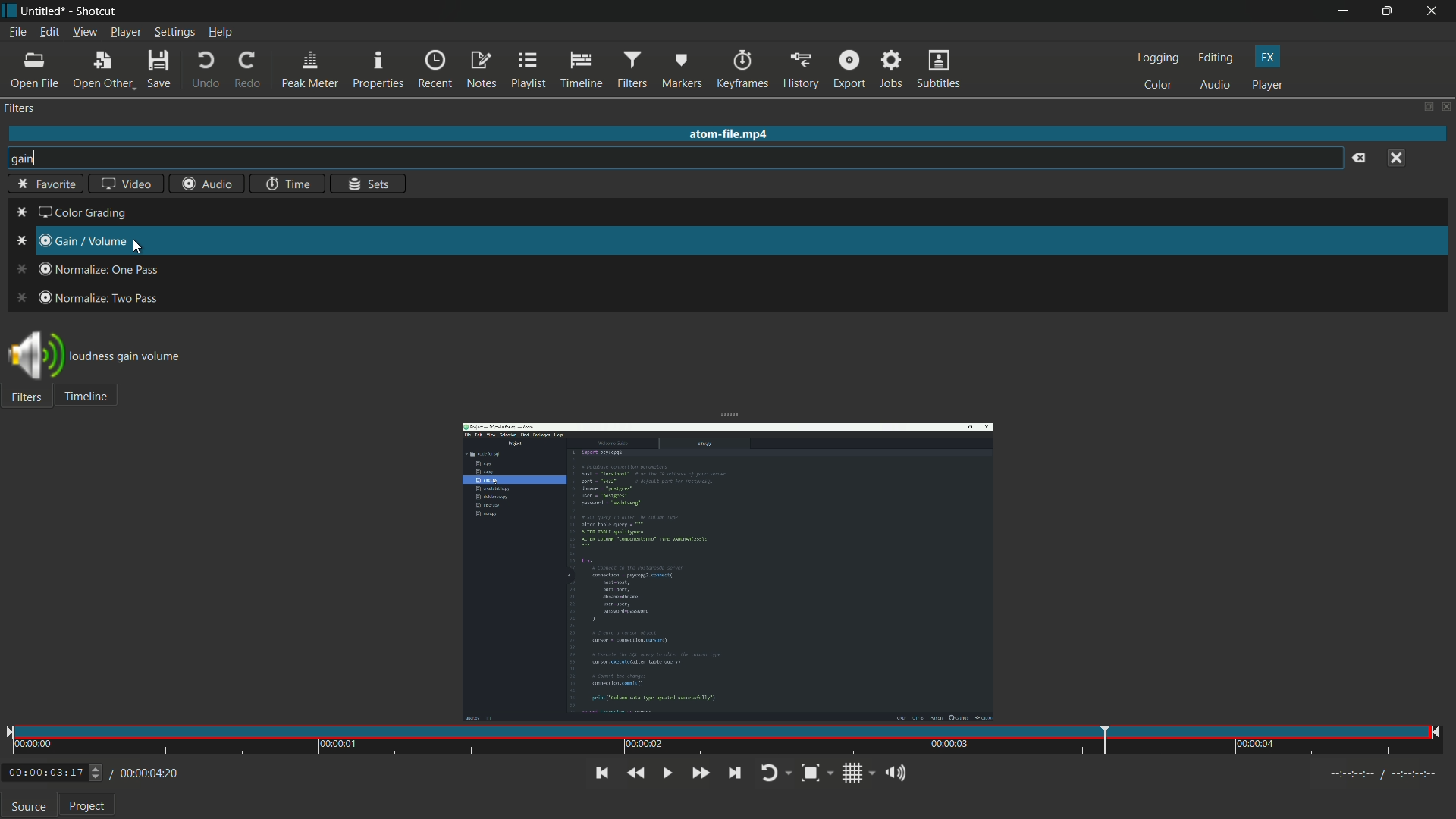  What do you see at coordinates (580, 70) in the screenshot?
I see `timeline` at bounding box center [580, 70].